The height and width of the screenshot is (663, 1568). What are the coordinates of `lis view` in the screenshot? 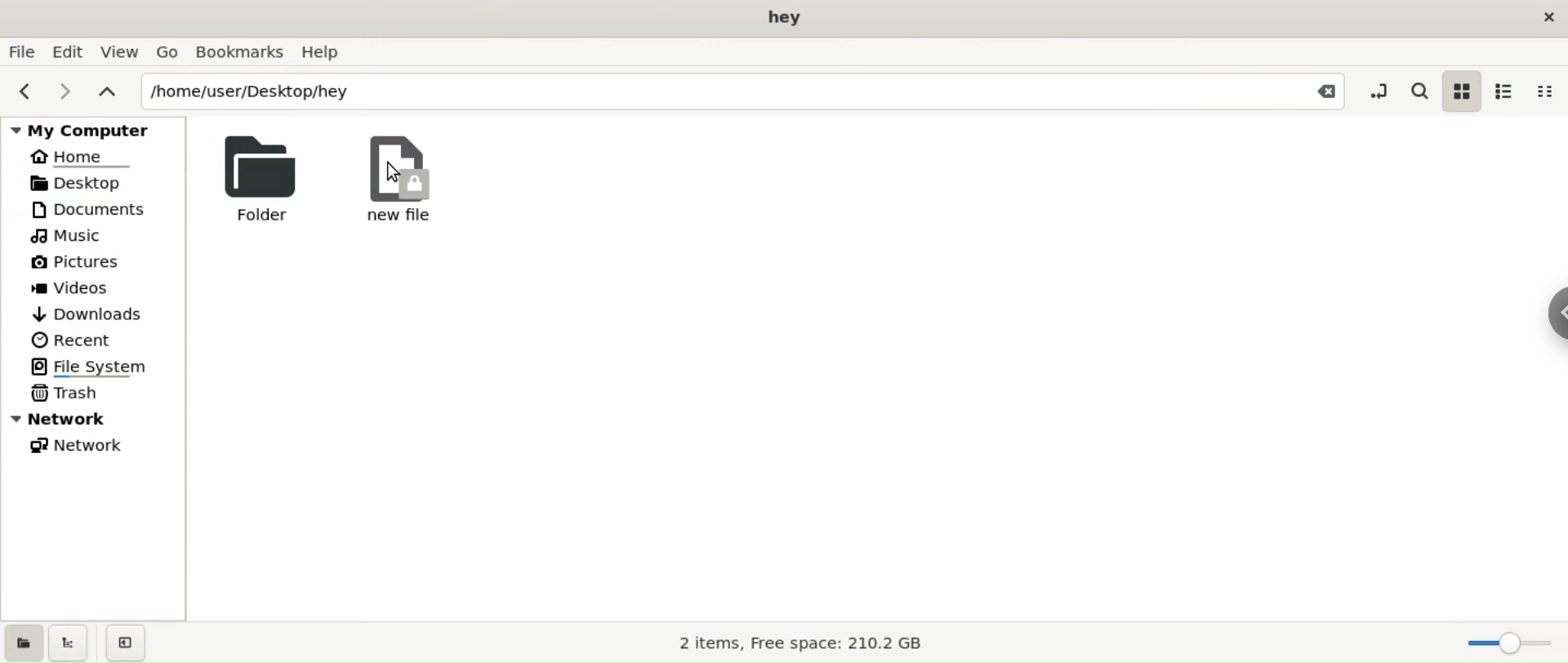 It's located at (1509, 89).